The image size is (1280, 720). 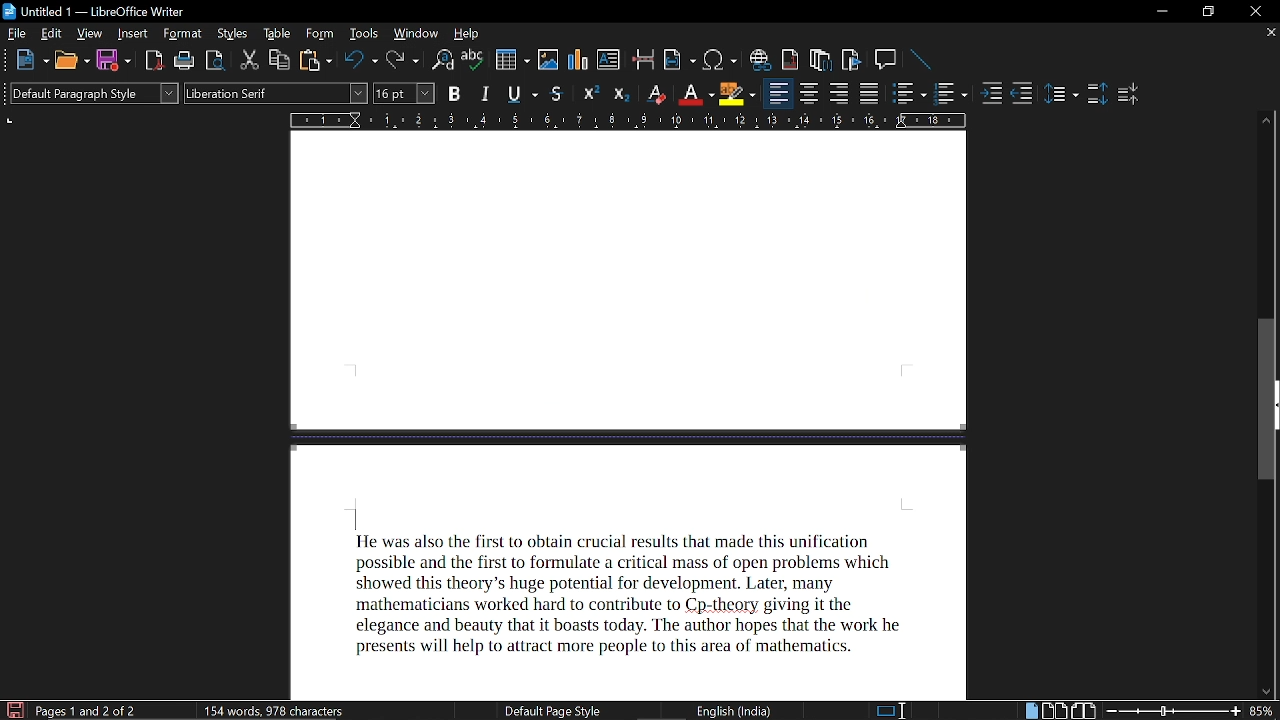 What do you see at coordinates (487, 93) in the screenshot?
I see `Italics` at bounding box center [487, 93].